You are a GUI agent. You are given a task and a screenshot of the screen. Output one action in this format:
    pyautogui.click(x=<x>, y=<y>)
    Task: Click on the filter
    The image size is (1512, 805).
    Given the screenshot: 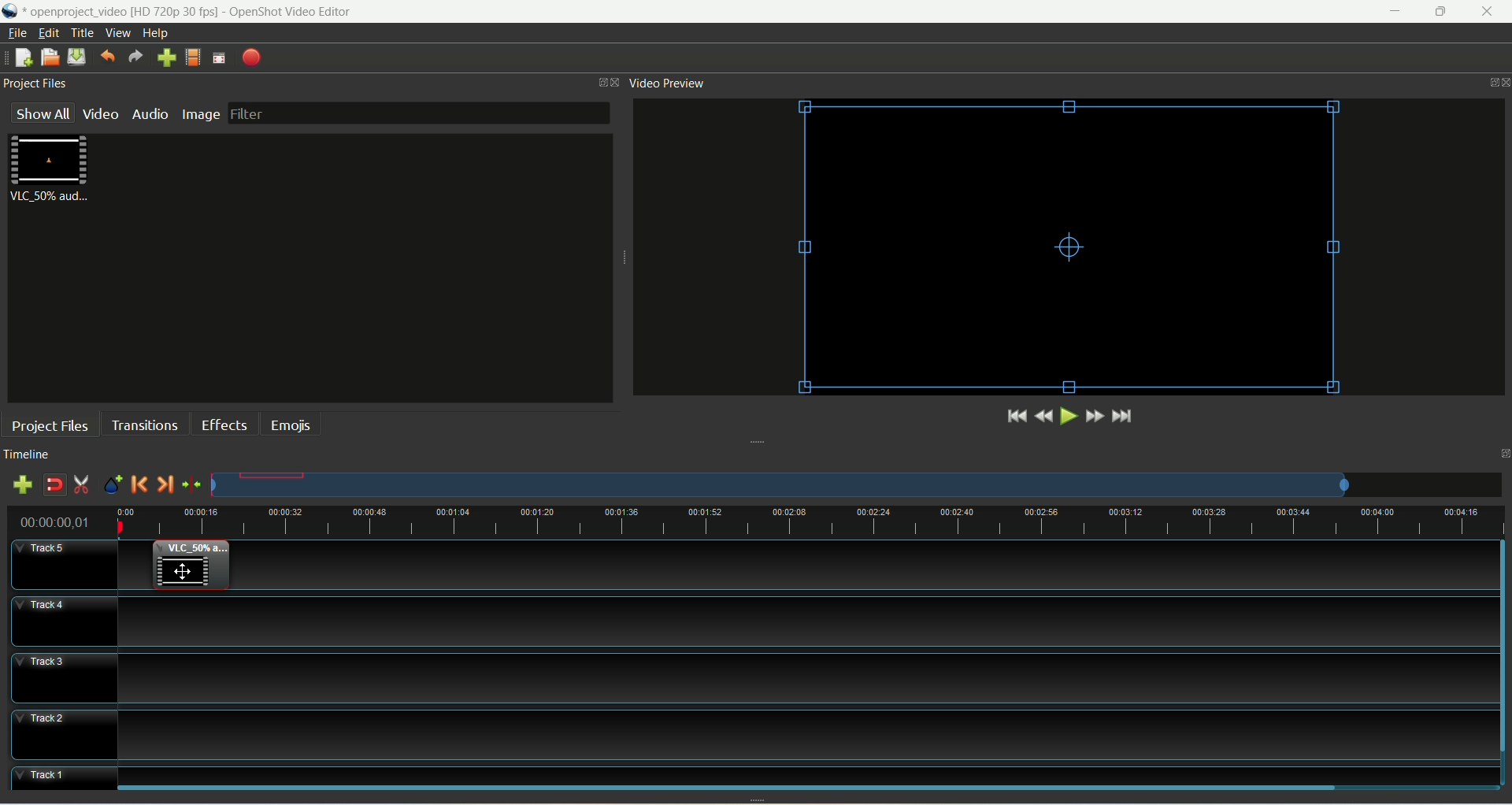 What is the action you would take?
    pyautogui.click(x=419, y=114)
    